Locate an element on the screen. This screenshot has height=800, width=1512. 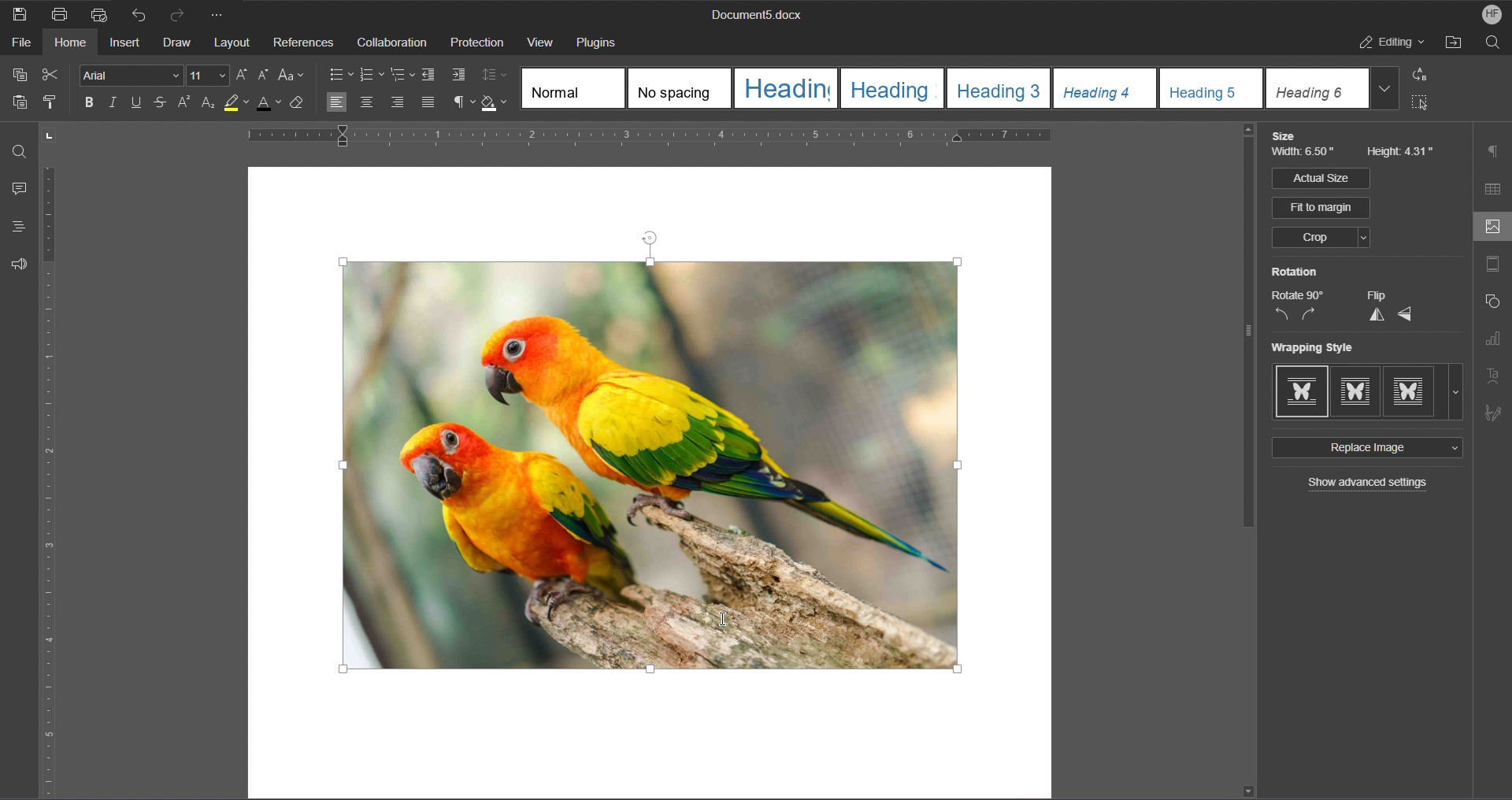
Save is located at coordinates (20, 13).